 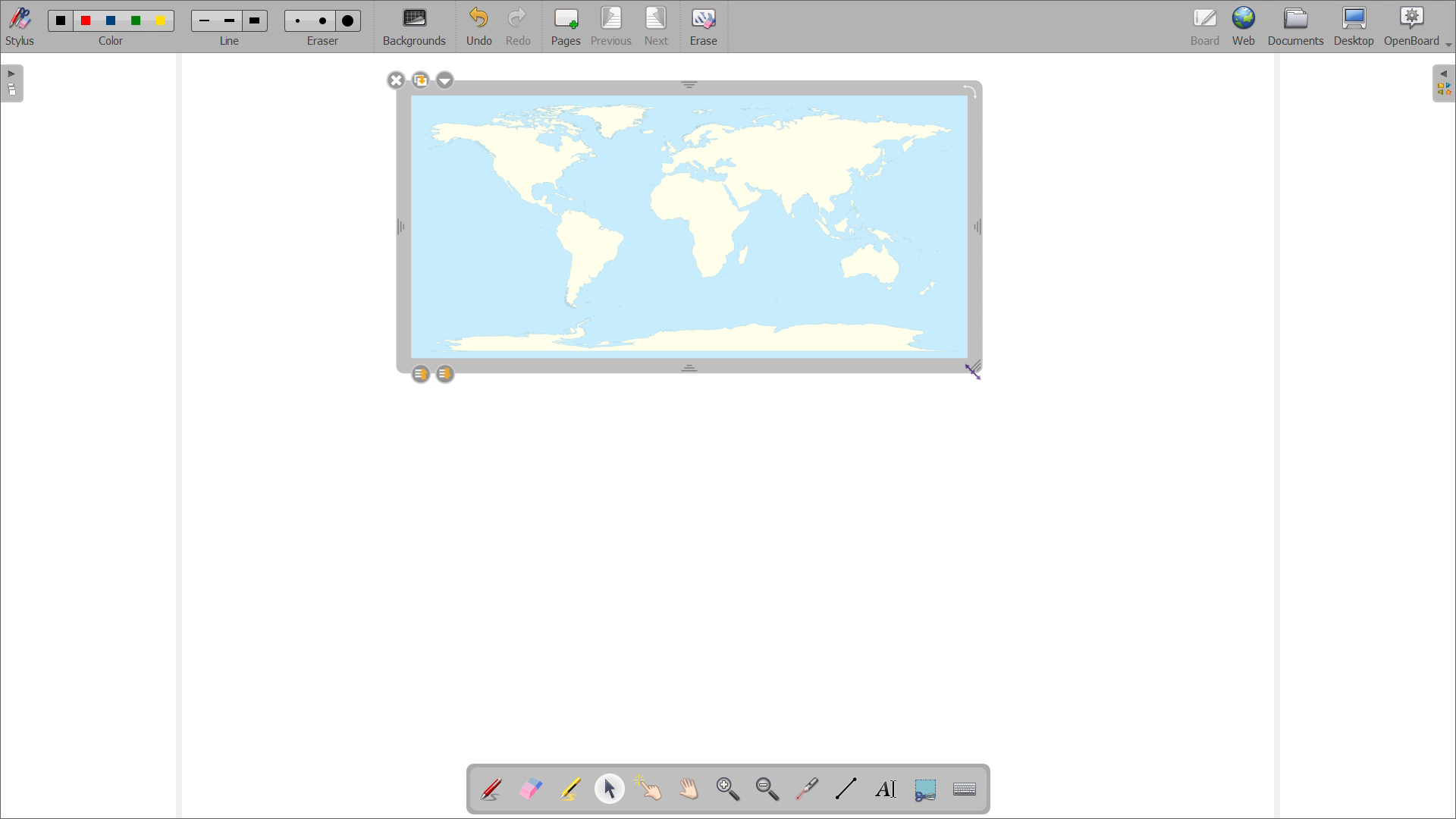 I want to click on zoom in, so click(x=730, y=790).